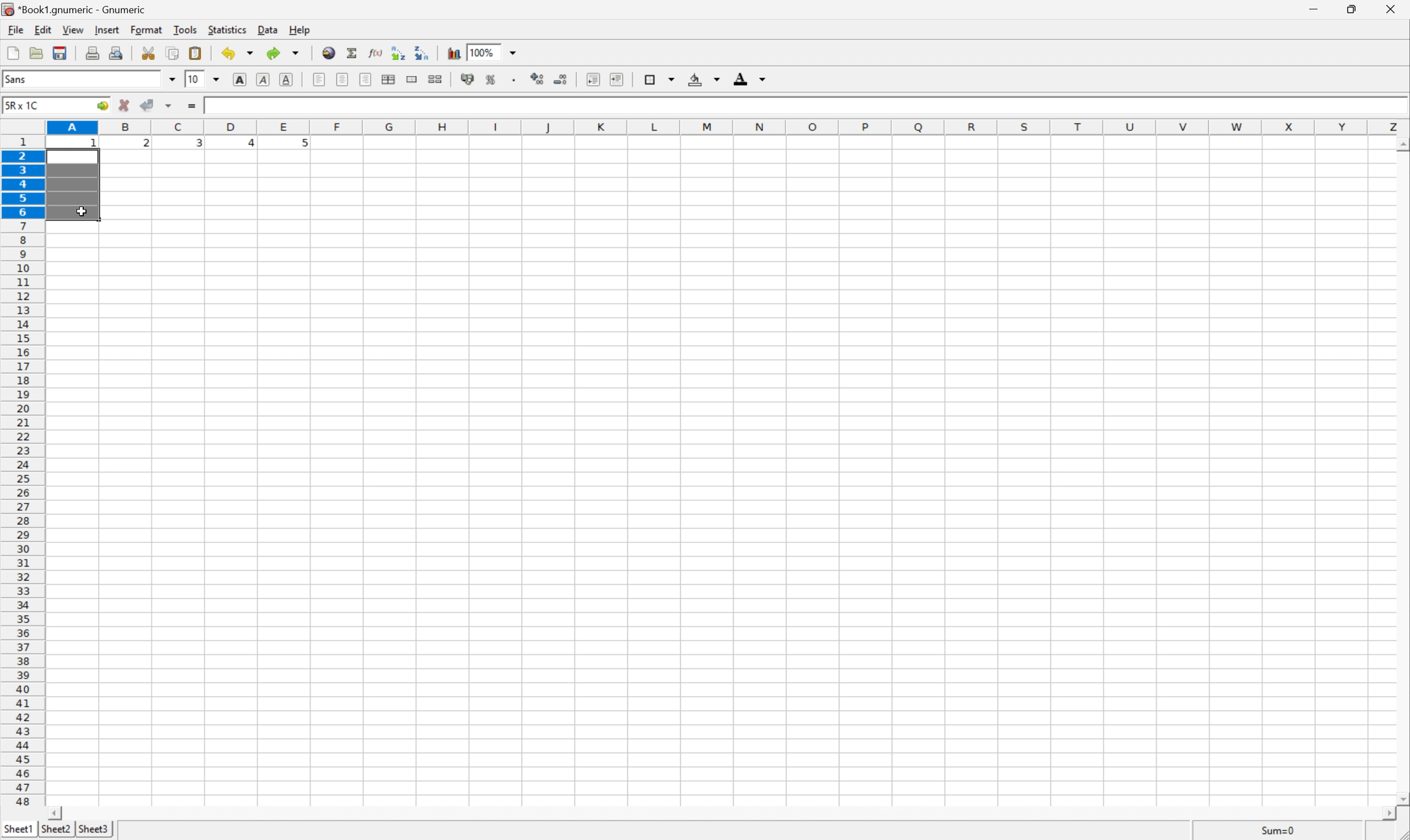  What do you see at coordinates (454, 53) in the screenshot?
I see `insert chart` at bounding box center [454, 53].